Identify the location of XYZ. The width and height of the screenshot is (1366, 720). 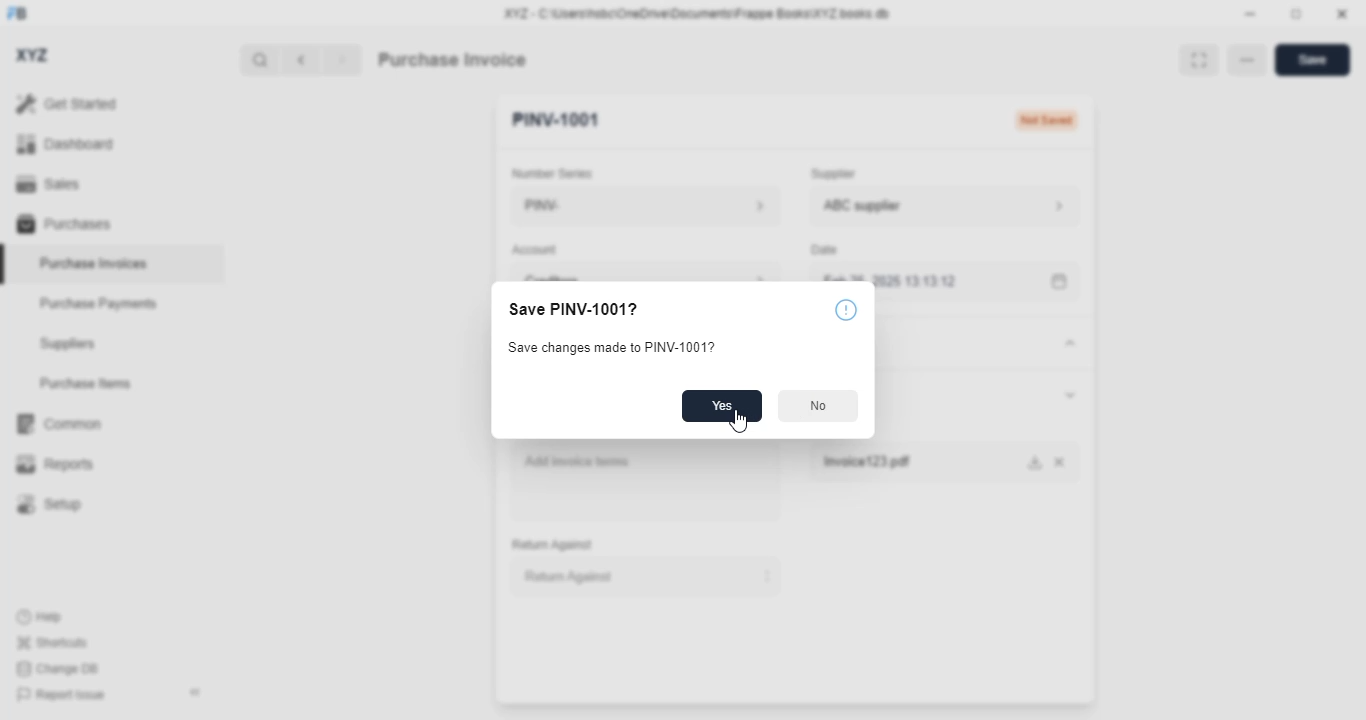
(34, 55).